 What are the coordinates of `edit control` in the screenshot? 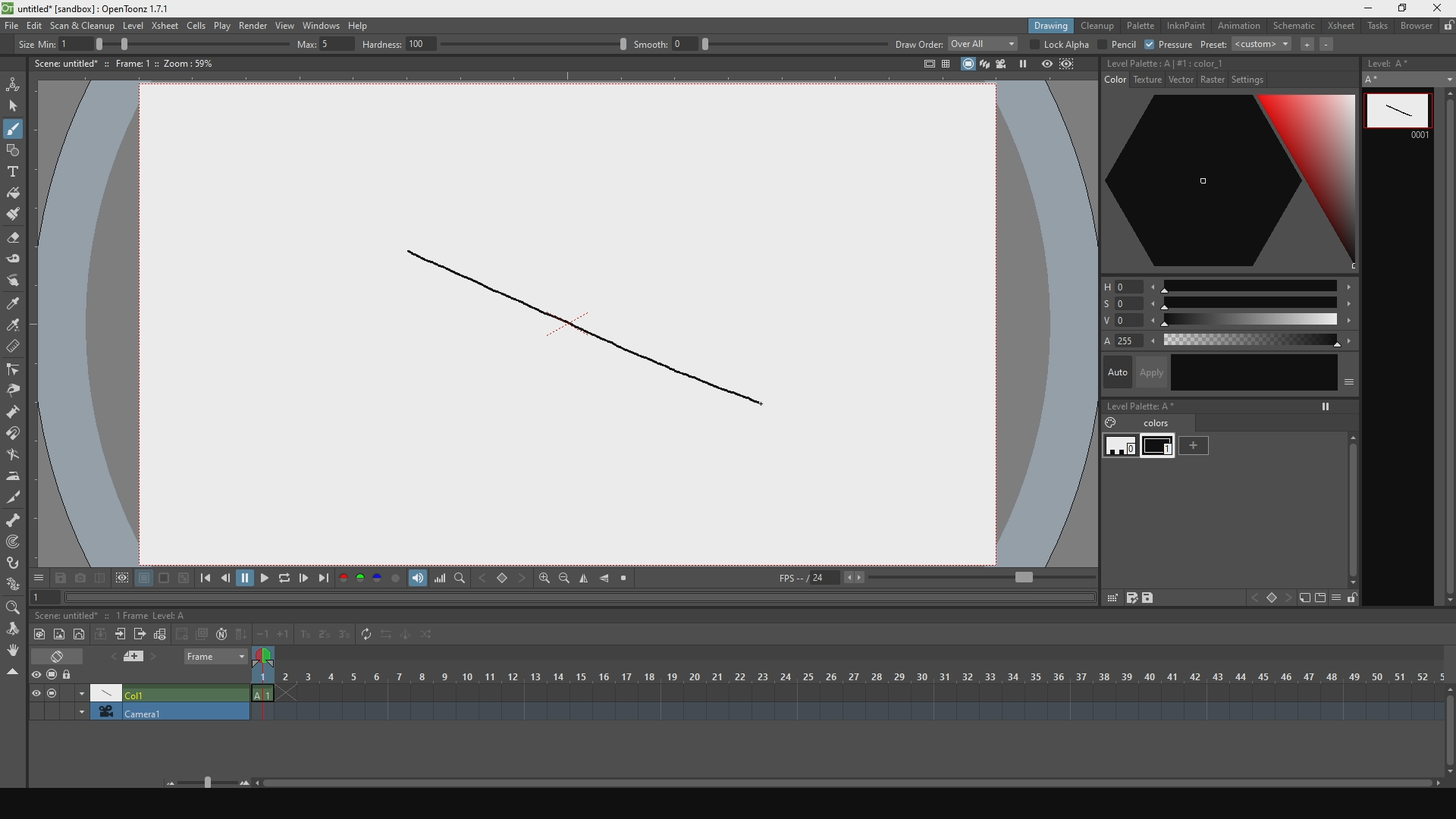 It's located at (14, 371).